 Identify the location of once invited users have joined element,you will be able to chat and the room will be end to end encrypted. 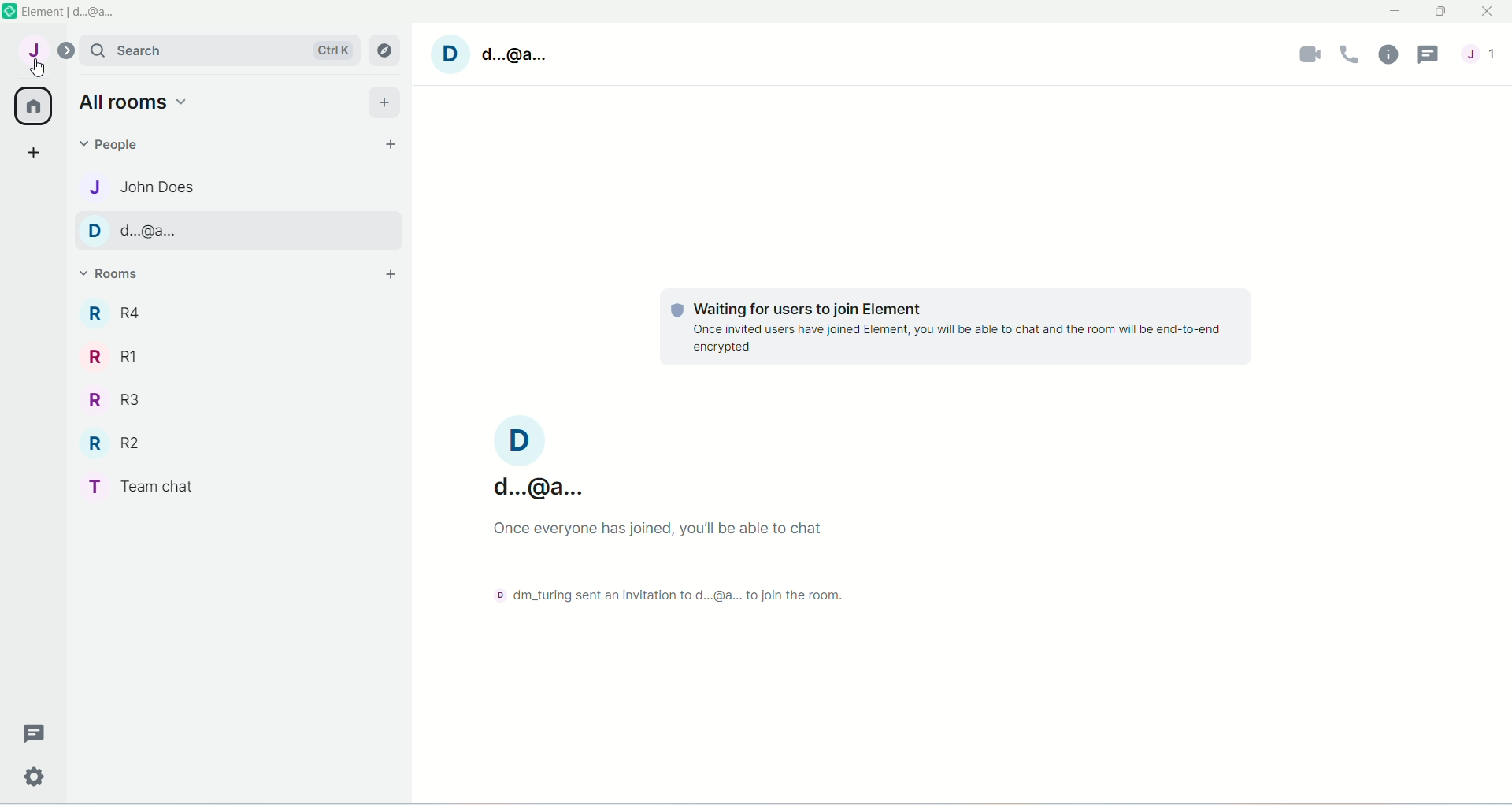
(965, 339).